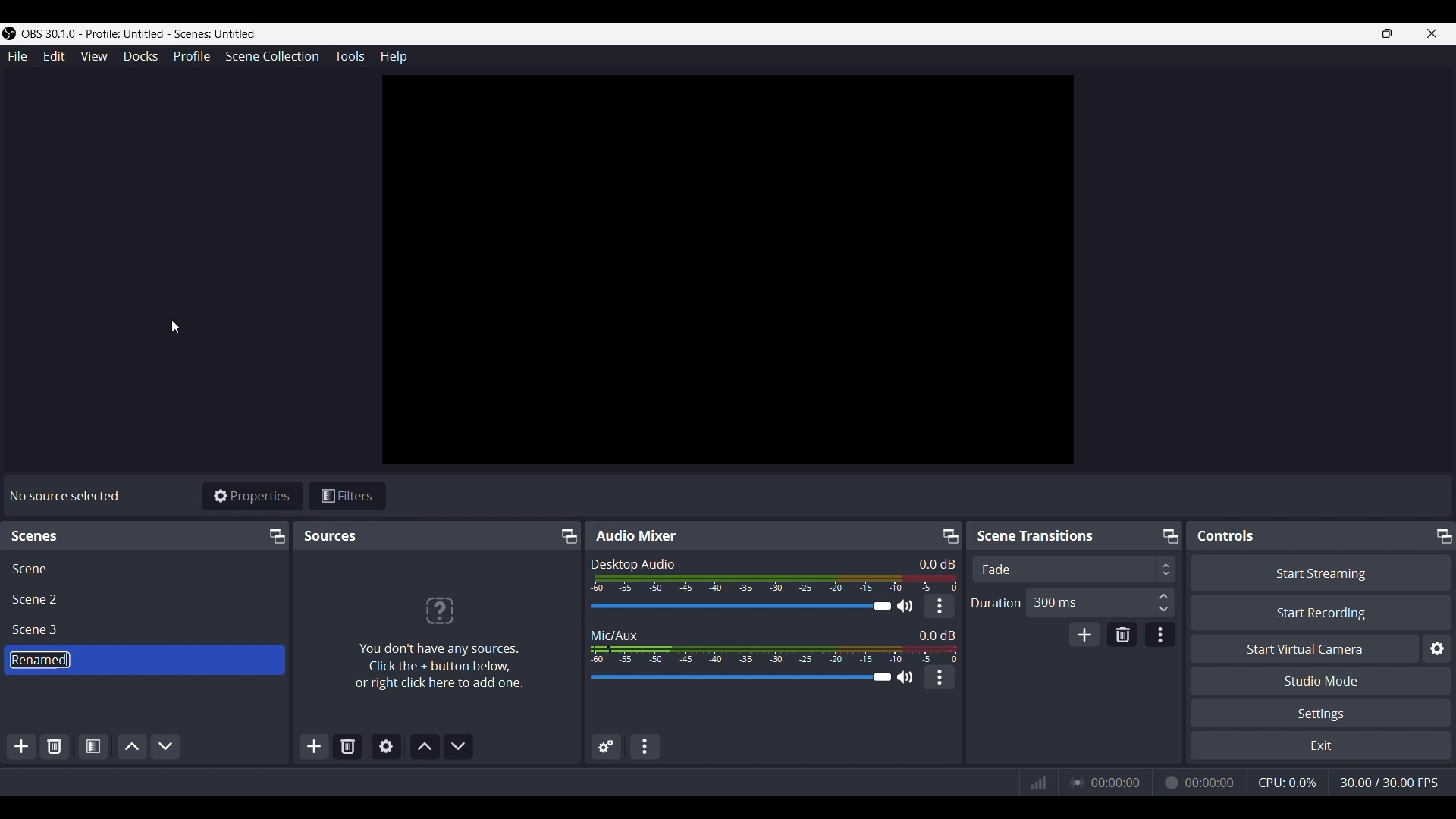 Image resolution: width=1456 pixels, height=819 pixels. What do you see at coordinates (1169, 535) in the screenshot?
I see ` Undock/Pop-out icon` at bounding box center [1169, 535].